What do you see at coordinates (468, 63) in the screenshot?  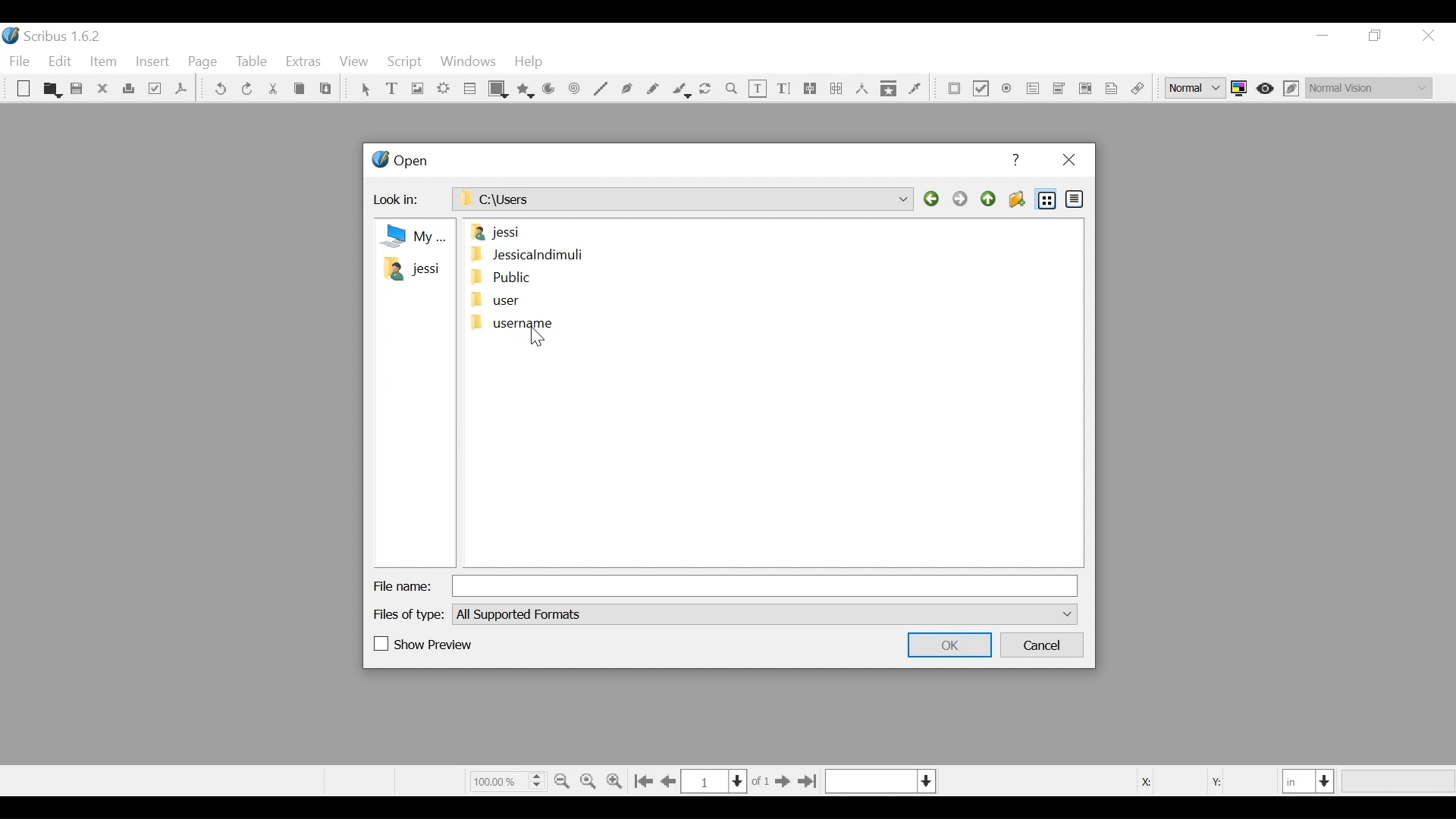 I see `Windows` at bounding box center [468, 63].